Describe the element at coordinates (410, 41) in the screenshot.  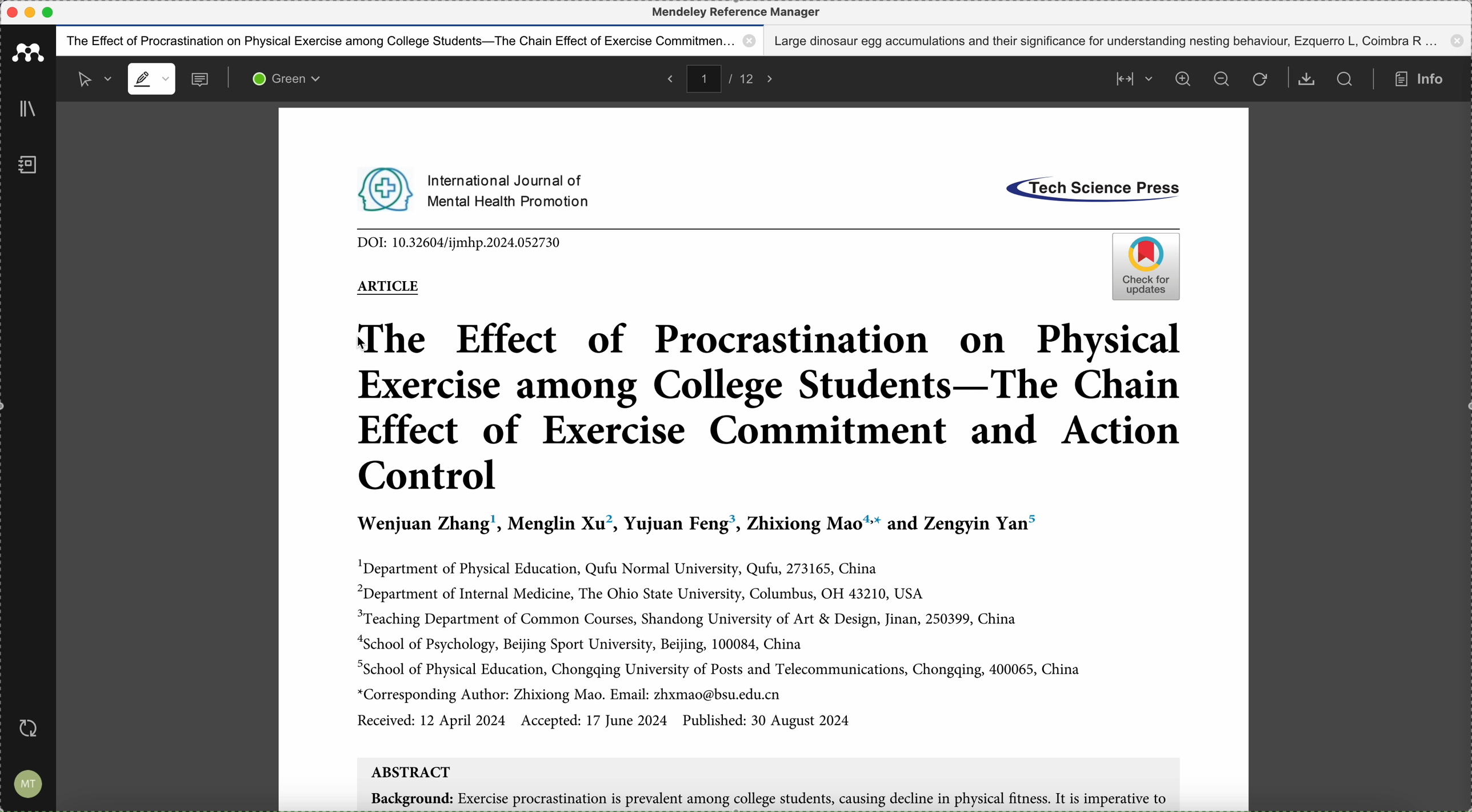
I see `The effect of procastination on physical exercise among college students - The Chain effect of exercise` at that location.